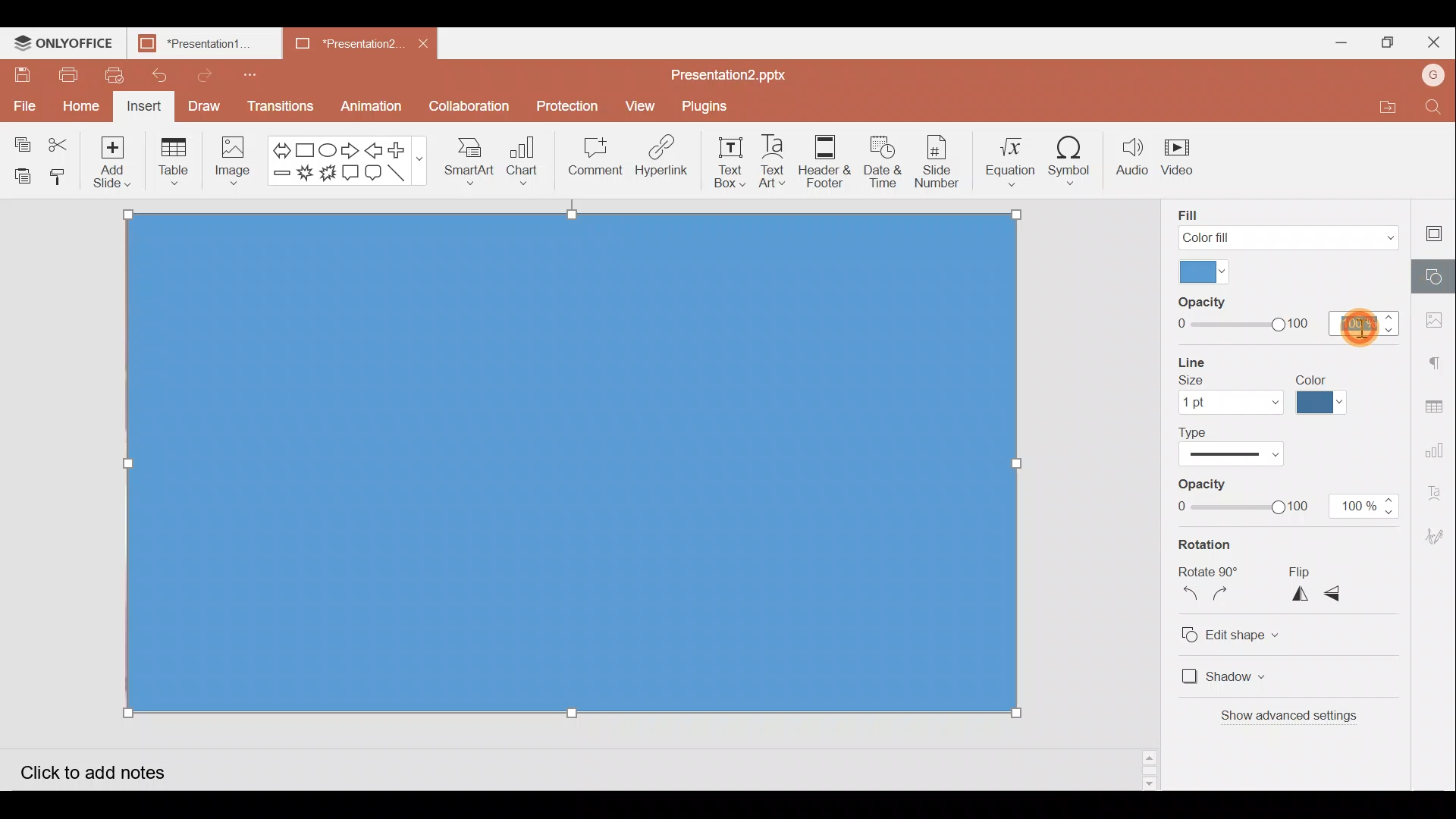  What do you see at coordinates (592, 157) in the screenshot?
I see `Comment` at bounding box center [592, 157].